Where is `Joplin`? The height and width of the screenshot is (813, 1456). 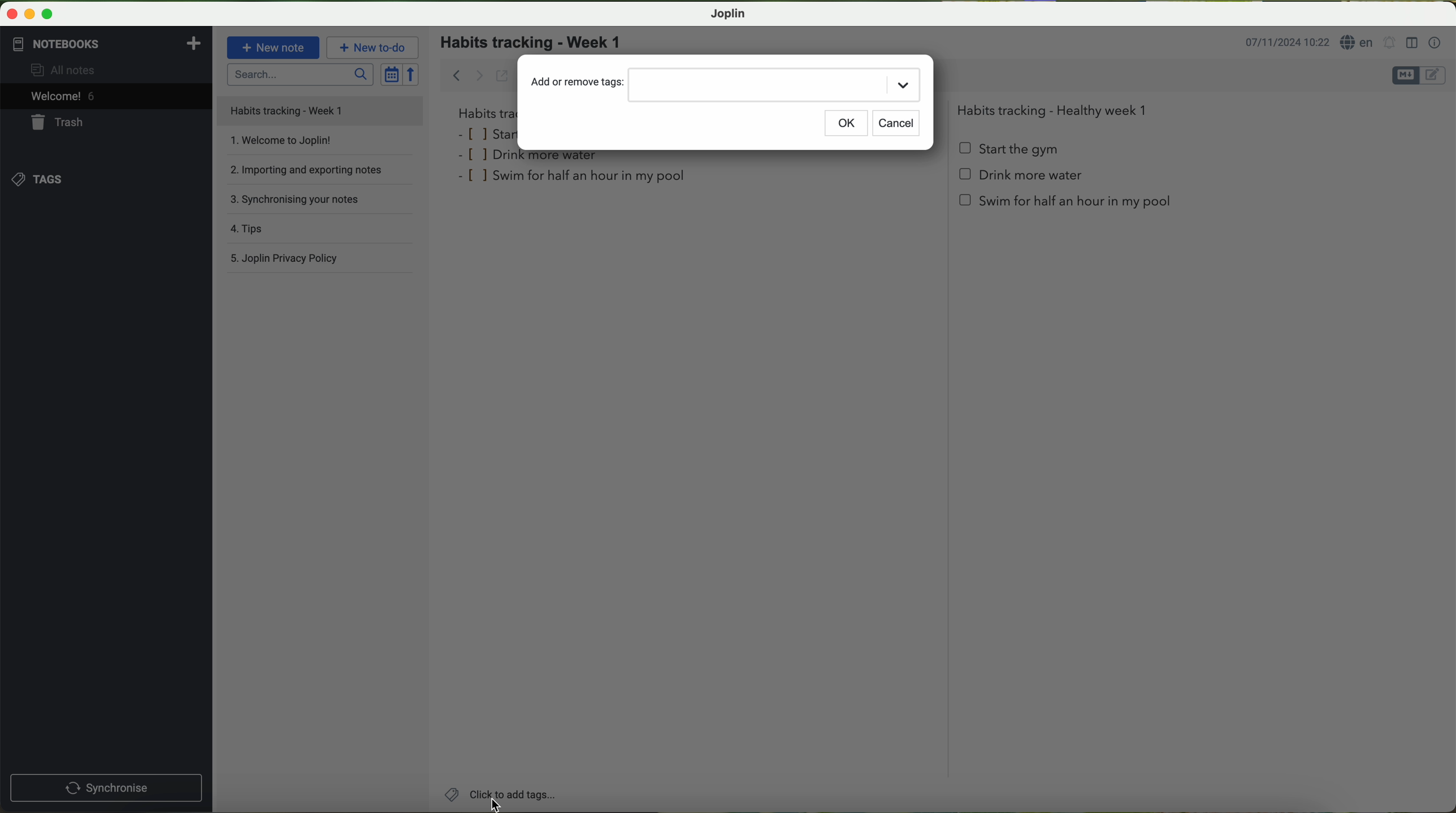
Joplin is located at coordinates (727, 14).